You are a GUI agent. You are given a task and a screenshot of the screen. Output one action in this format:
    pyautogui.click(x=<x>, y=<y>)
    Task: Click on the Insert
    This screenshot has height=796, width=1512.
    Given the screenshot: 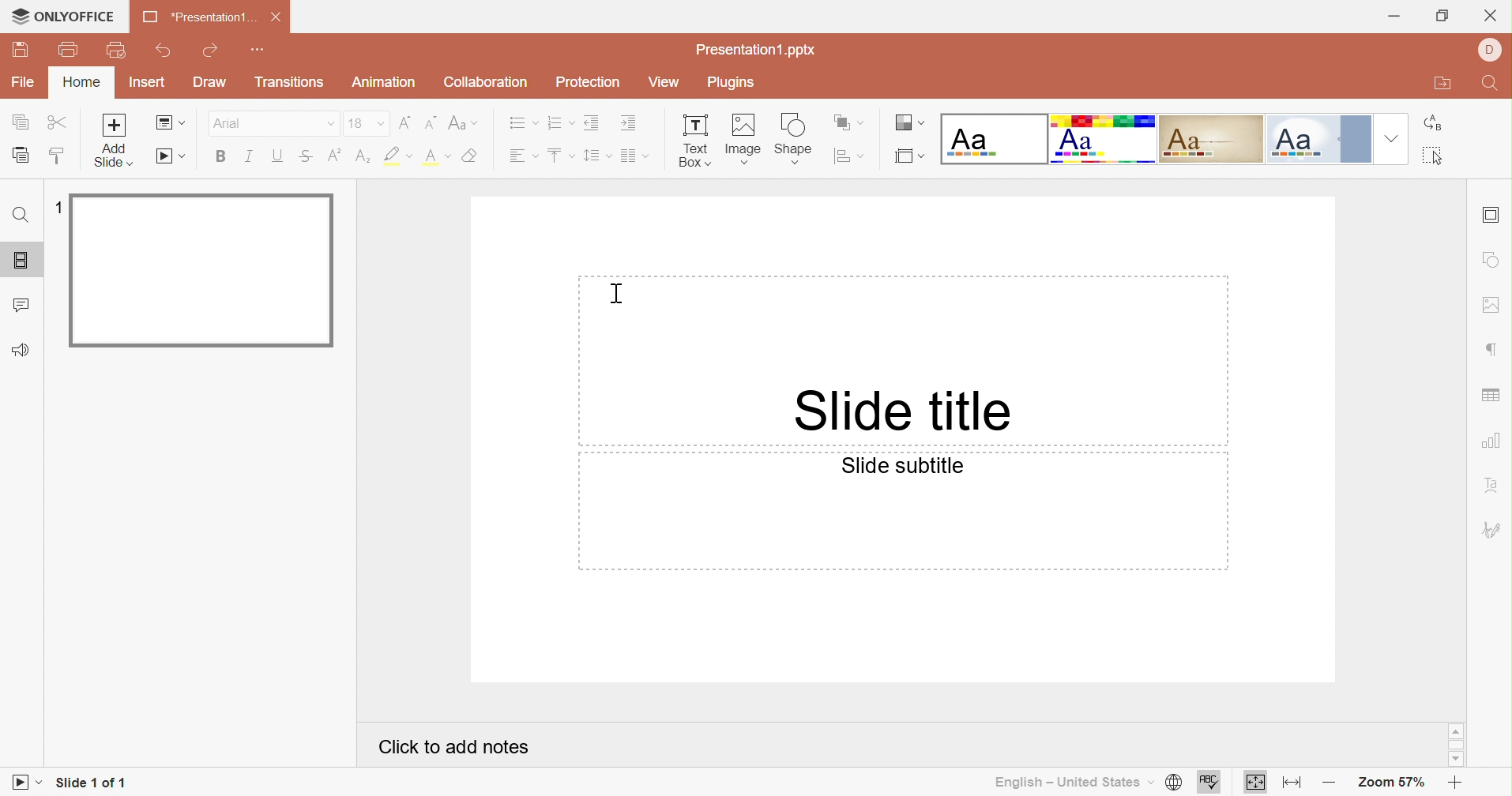 What is the action you would take?
    pyautogui.click(x=149, y=84)
    